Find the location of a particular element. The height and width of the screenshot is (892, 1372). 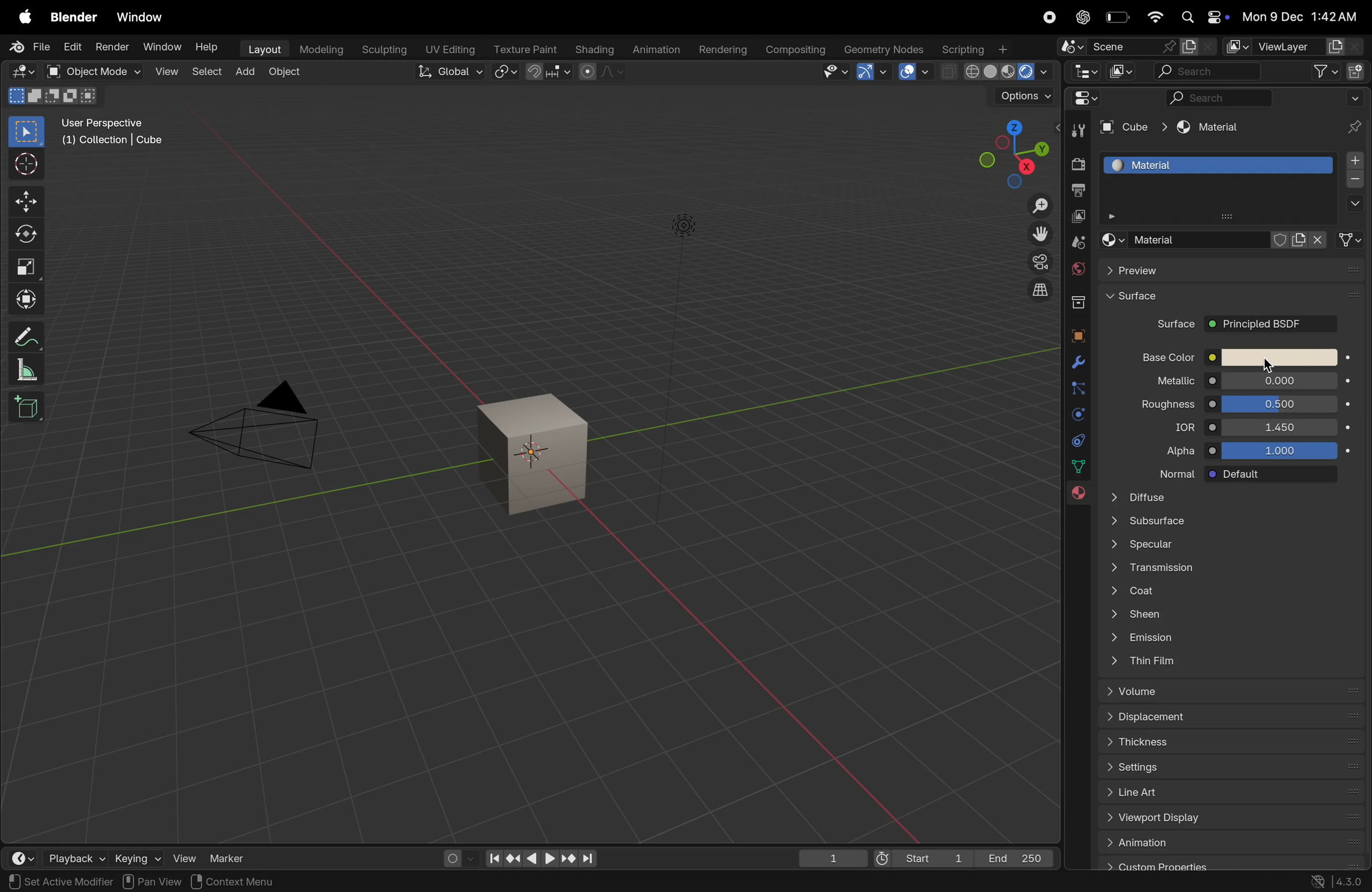

move view is located at coordinates (1041, 234).